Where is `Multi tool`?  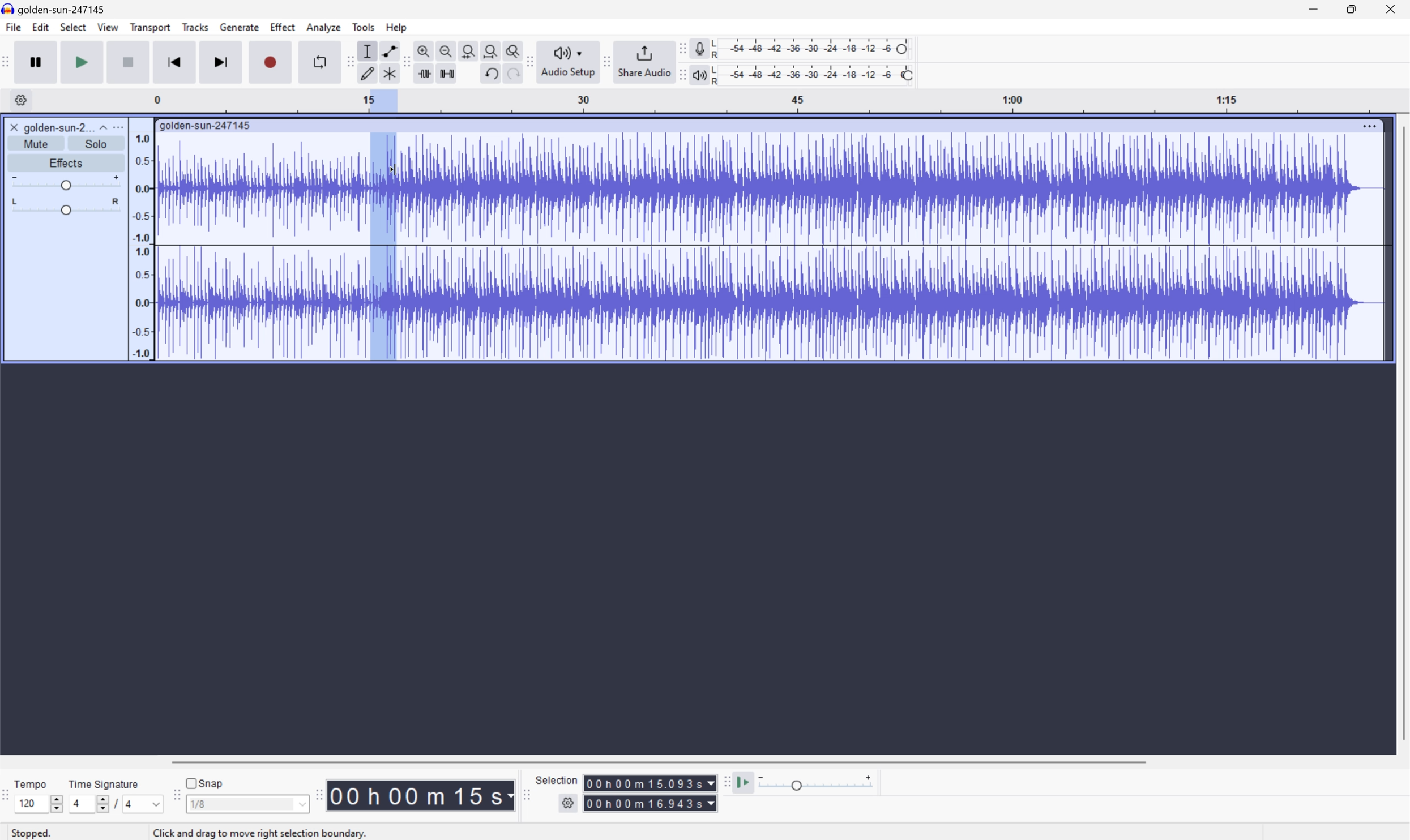 Multi tool is located at coordinates (391, 72).